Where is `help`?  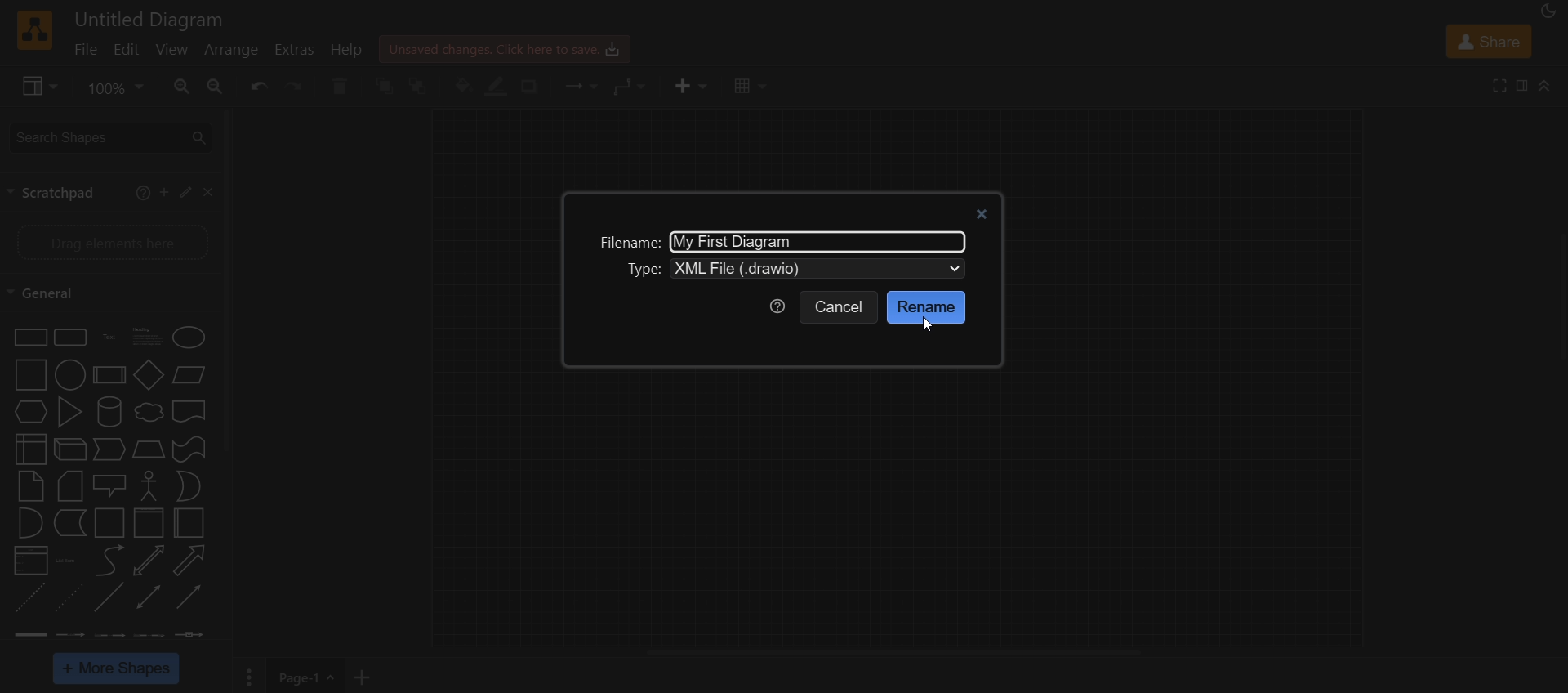 help is located at coordinates (140, 192).